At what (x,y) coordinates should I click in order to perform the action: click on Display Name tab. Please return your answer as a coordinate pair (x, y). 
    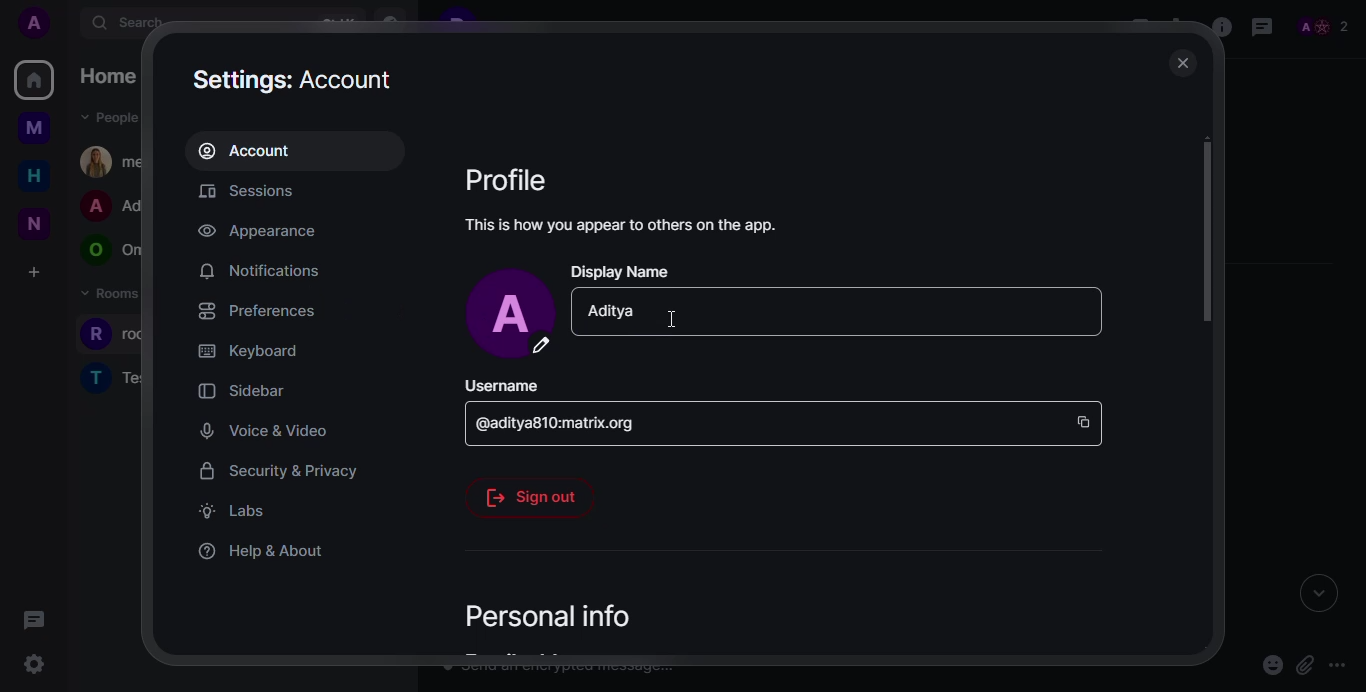
    Looking at the image, I should click on (786, 310).